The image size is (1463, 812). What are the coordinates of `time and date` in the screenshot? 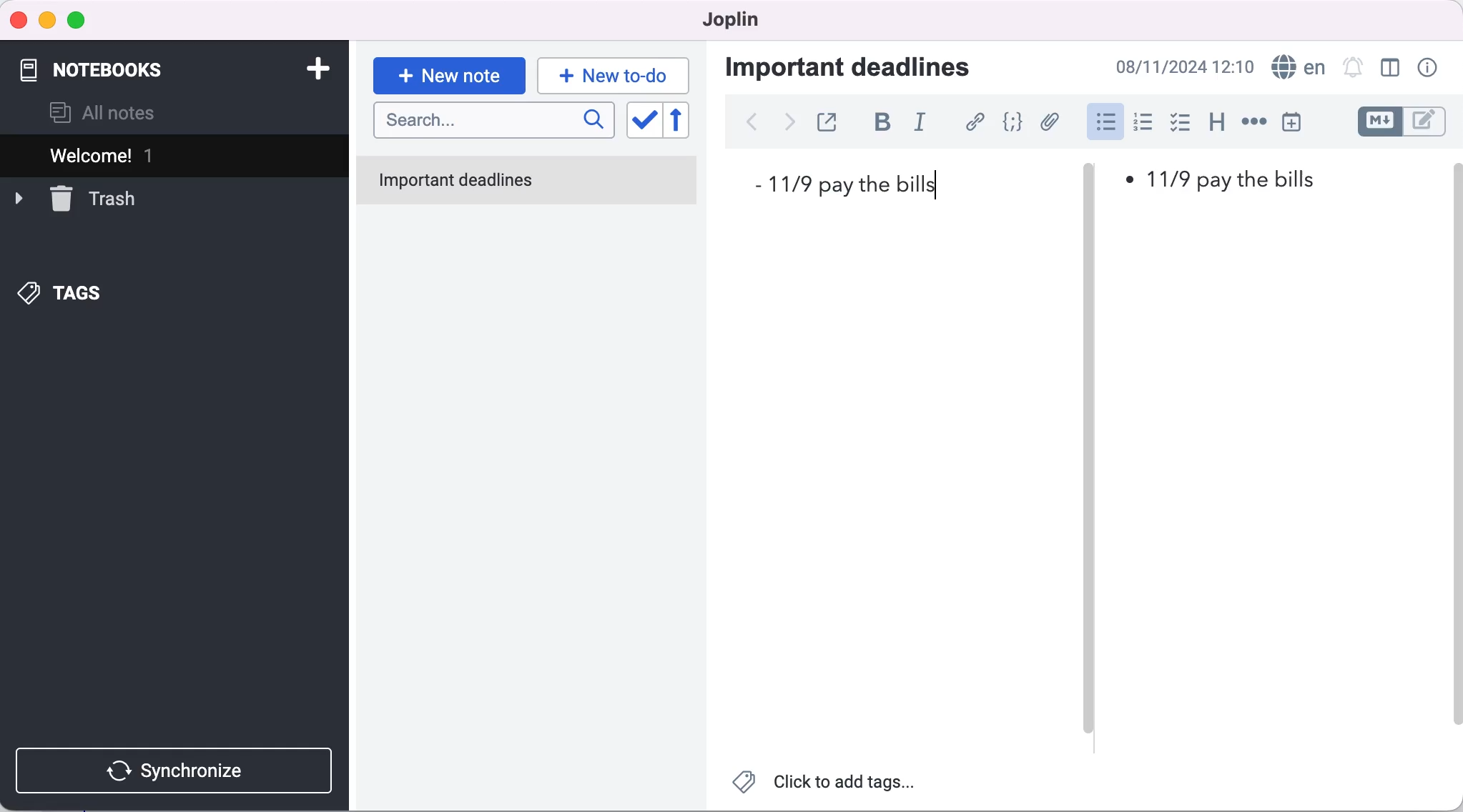 It's located at (1187, 66).